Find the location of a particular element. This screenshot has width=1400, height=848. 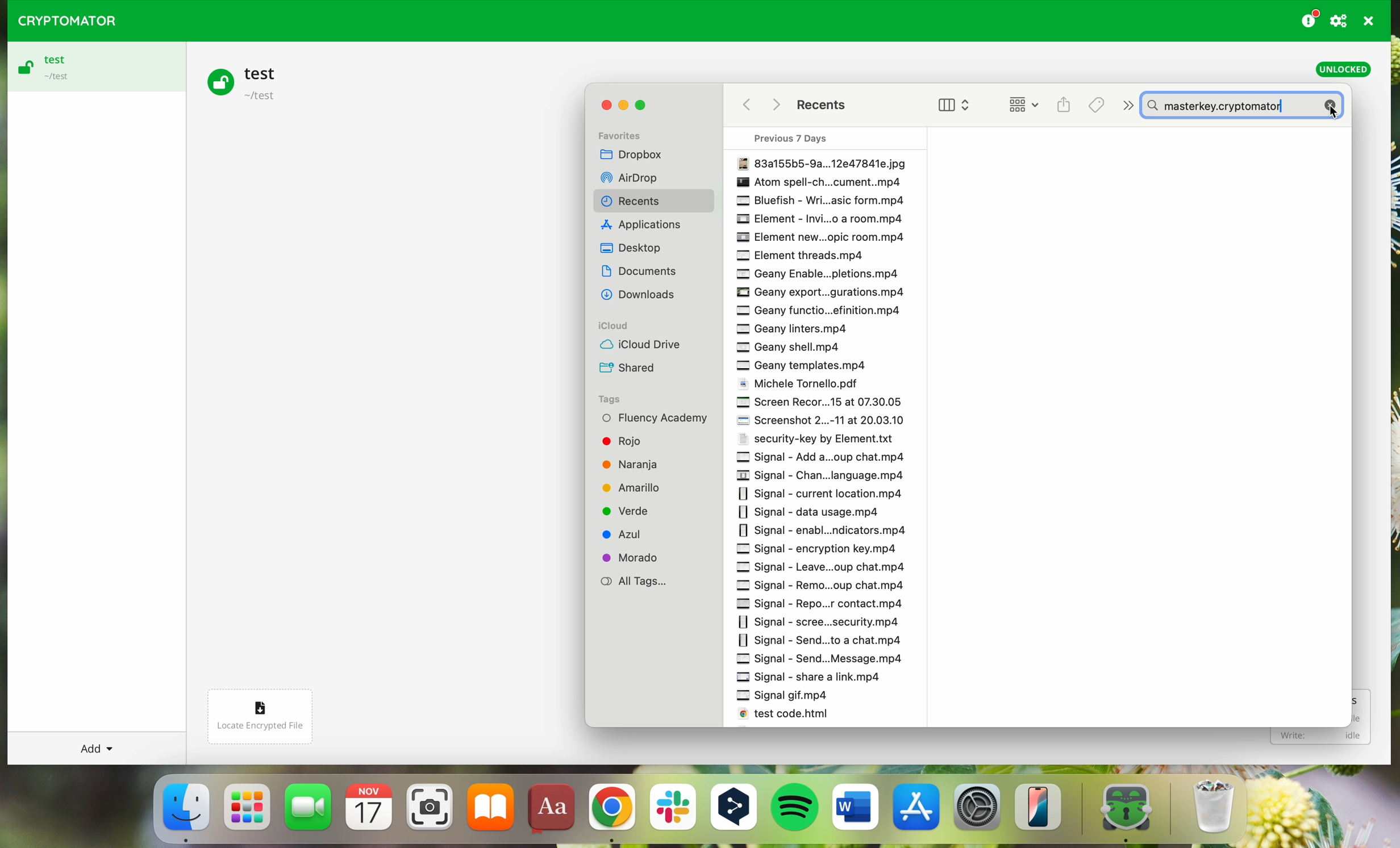

share is located at coordinates (1062, 102).